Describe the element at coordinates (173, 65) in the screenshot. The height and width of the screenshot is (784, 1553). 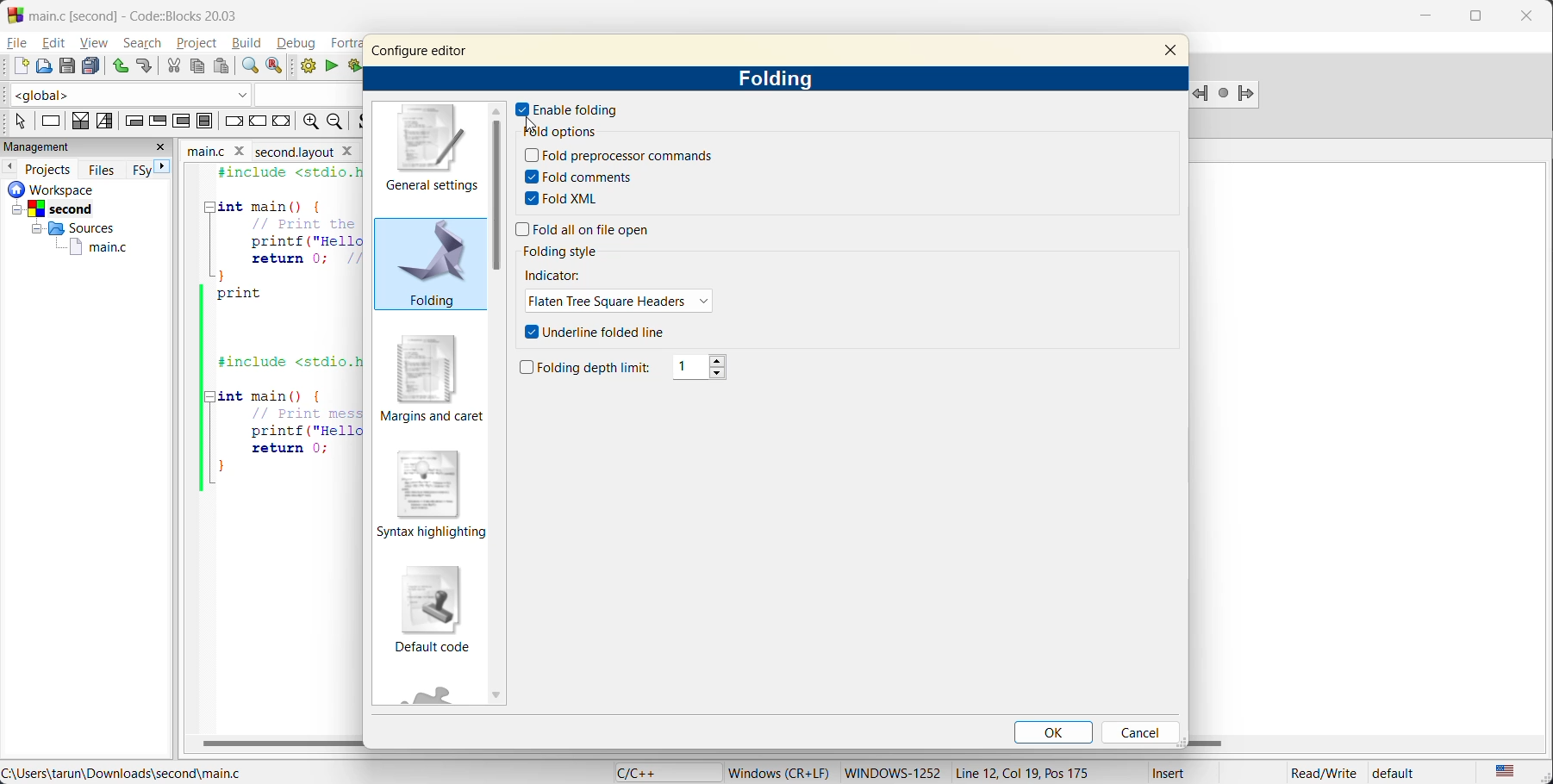
I see `cut` at that location.